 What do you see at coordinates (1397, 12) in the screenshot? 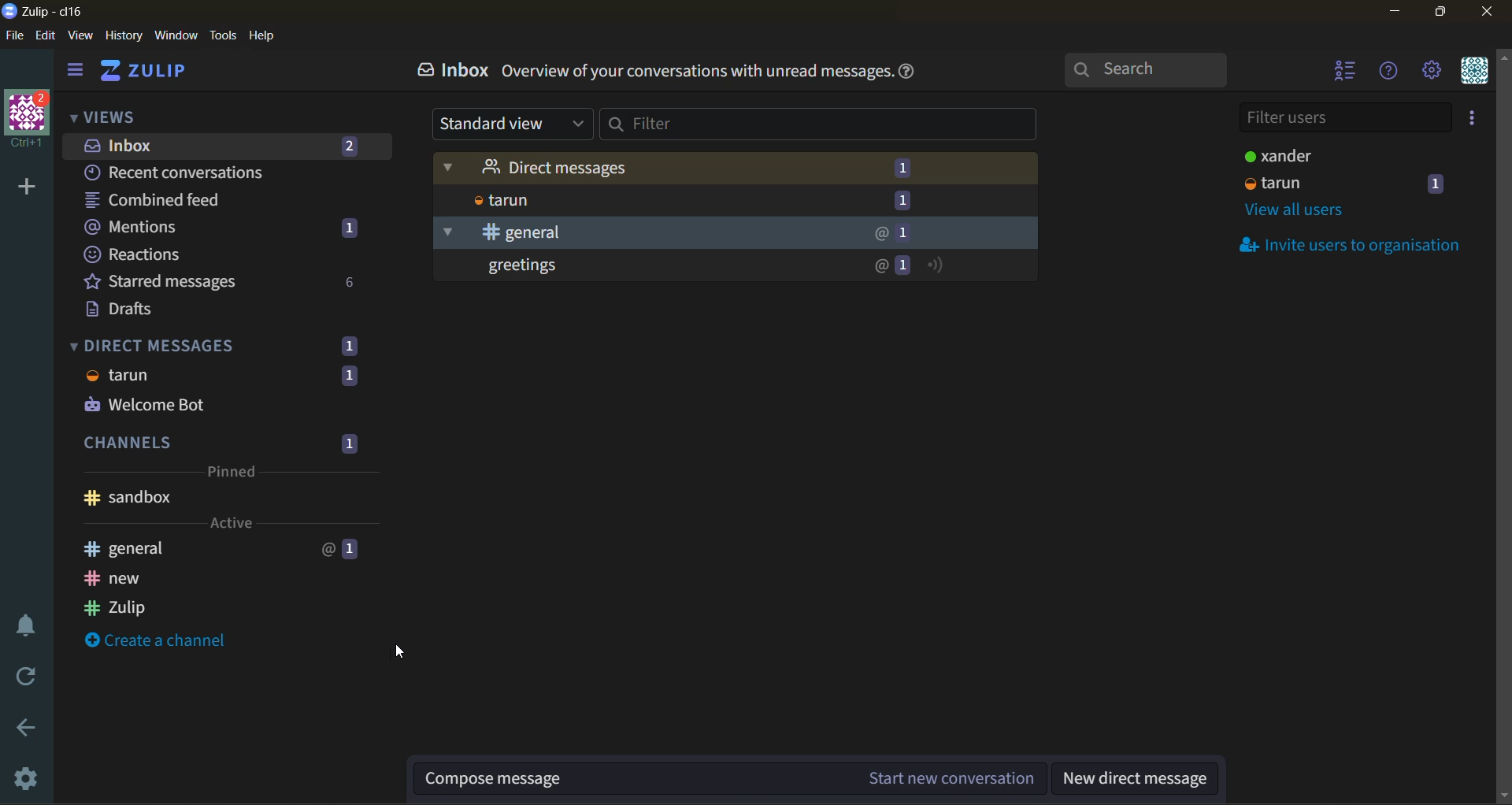
I see `minimize` at bounding box center [1397, 12].